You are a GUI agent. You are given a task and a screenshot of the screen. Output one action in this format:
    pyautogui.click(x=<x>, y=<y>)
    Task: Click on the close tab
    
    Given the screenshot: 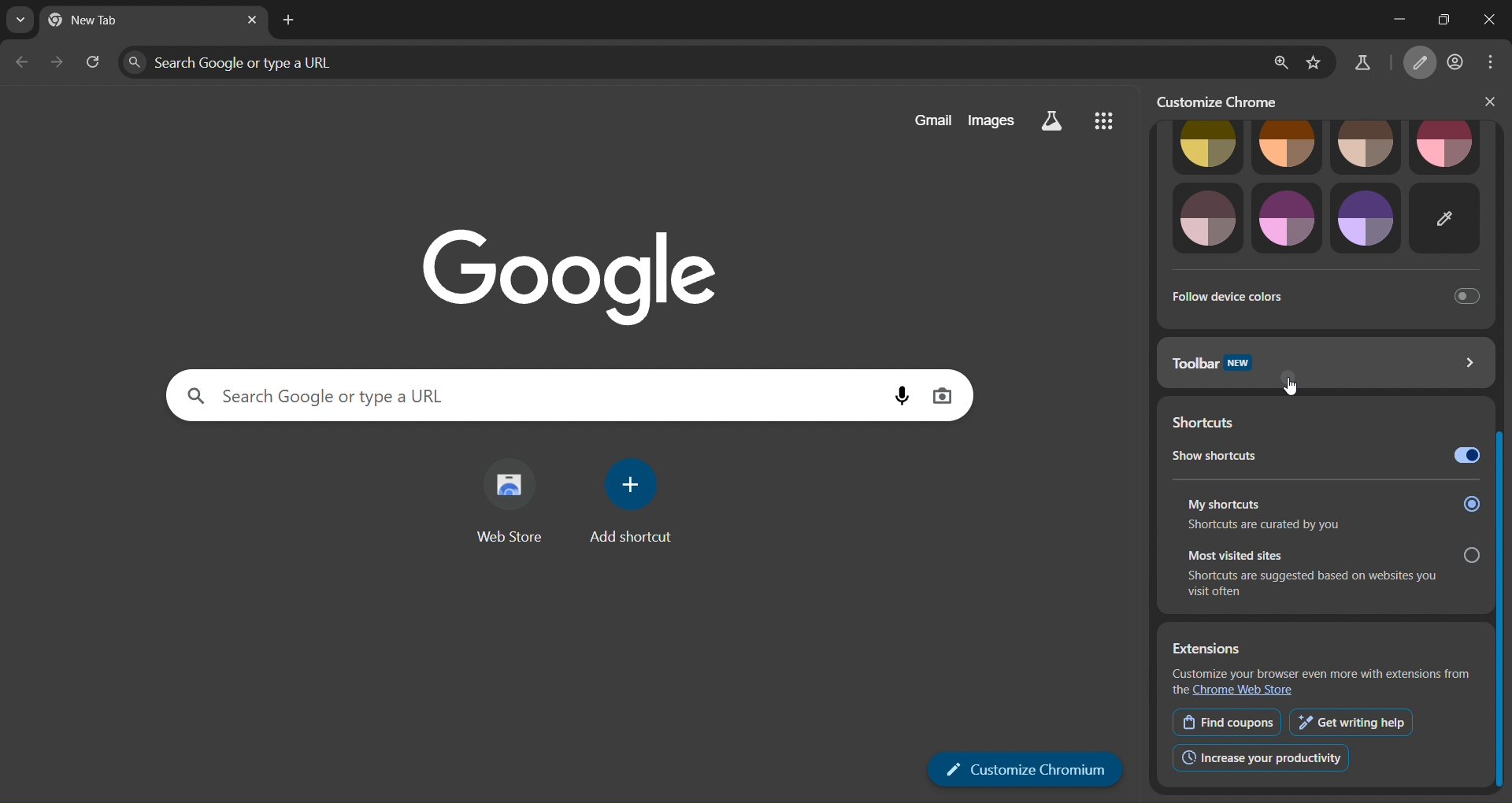 What is the action you would take?
    pyautogui.click(x=252, y=20)
    